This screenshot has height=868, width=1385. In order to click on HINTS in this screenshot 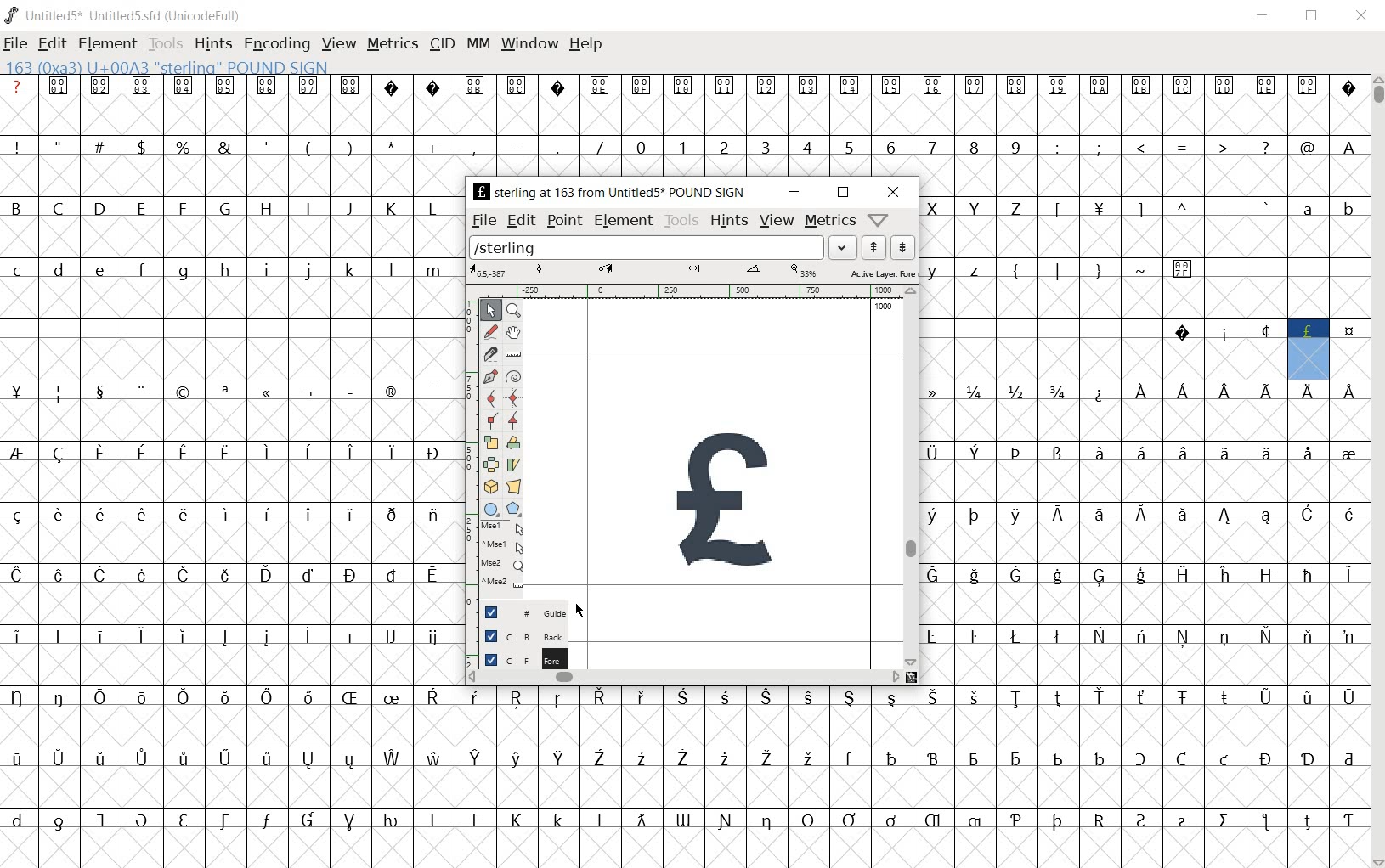, I will do `click(213, 45)`.